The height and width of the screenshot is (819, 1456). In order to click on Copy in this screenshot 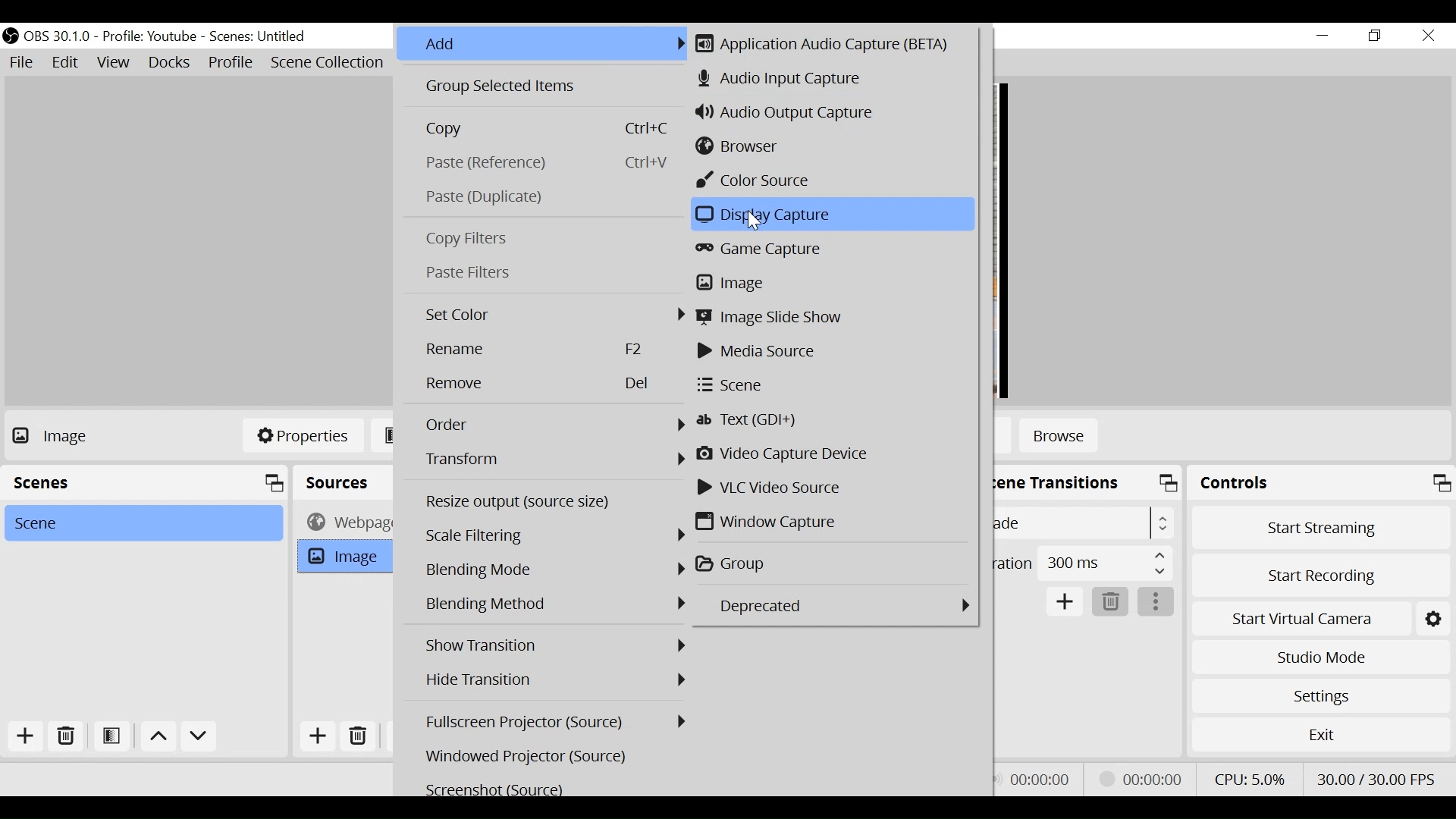, I will do `click(544, 129)`.